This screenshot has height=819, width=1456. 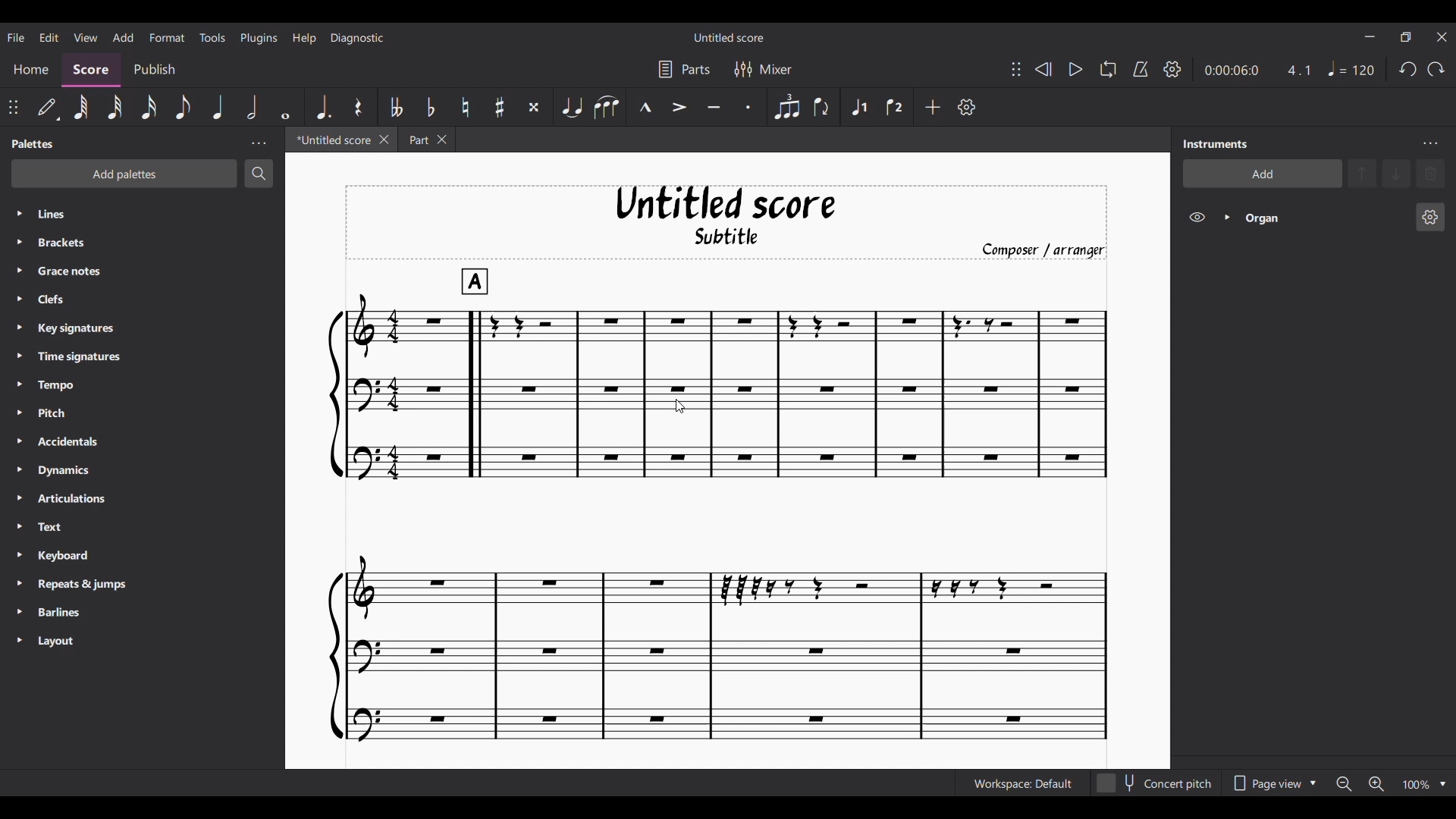 What do you see at coordinates (1216, 143) in the screenshot?
I see `Panel title` at bounding box center [1216, 143].